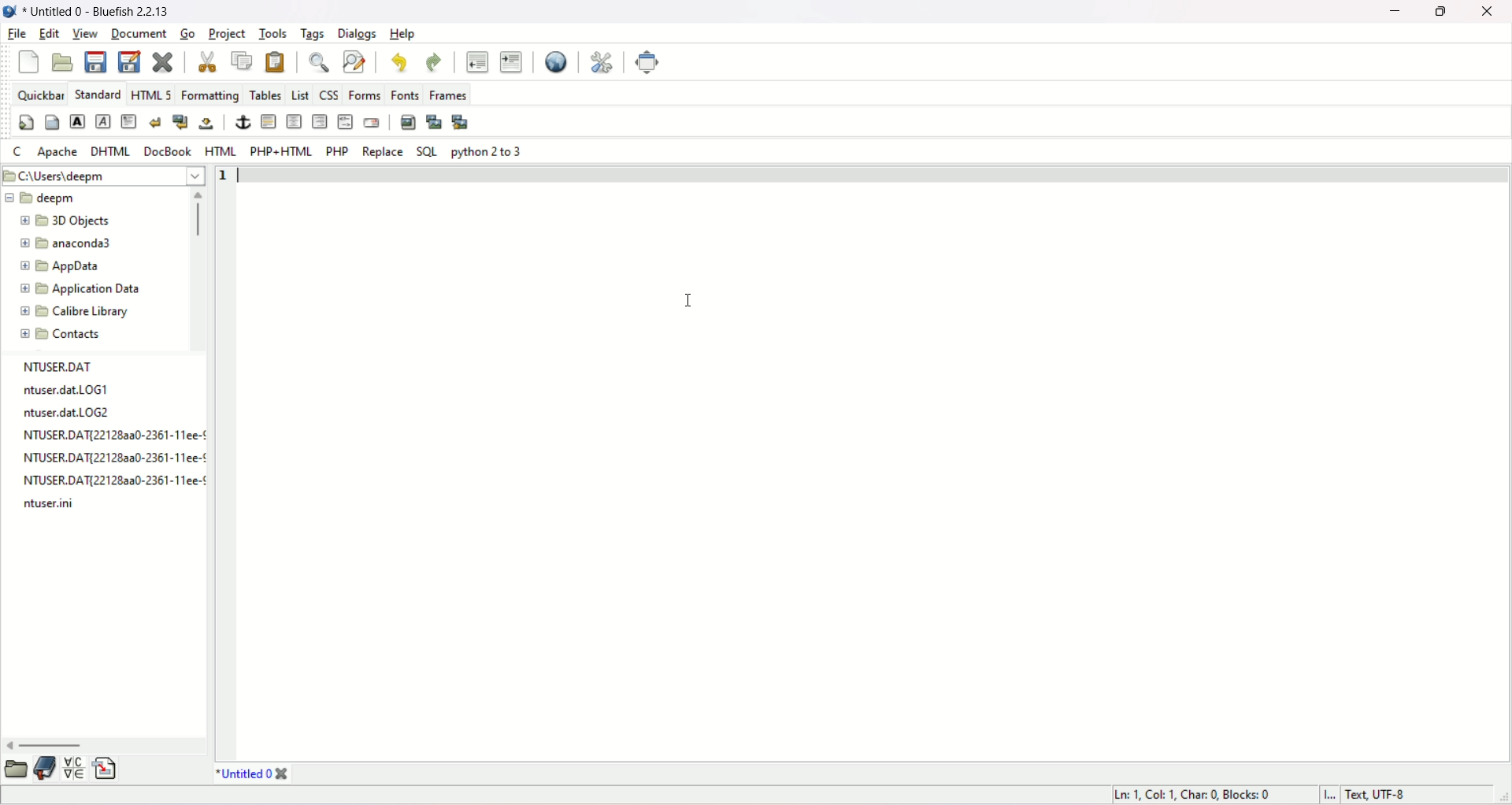  I want to click on cursor position, so click(1197, 794).